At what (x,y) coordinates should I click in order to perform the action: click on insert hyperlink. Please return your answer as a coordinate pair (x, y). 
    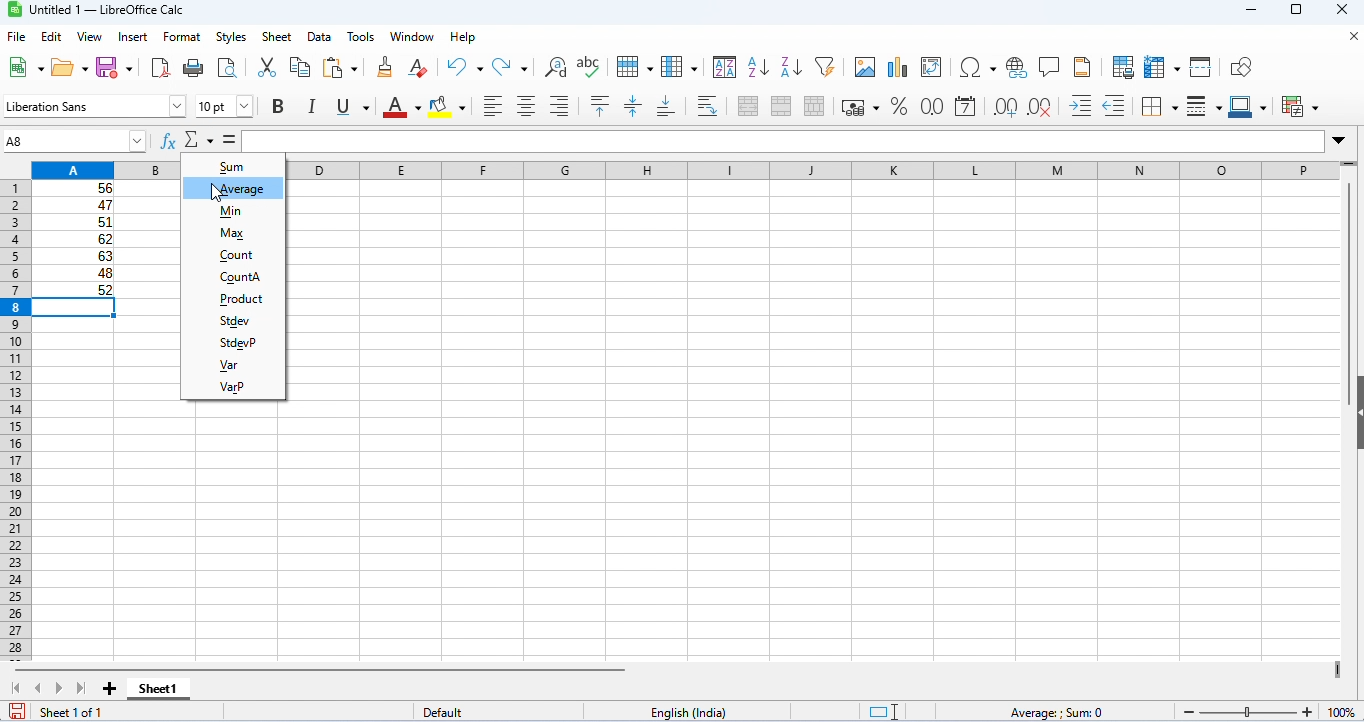
    Looking at the image, I should click on (1018, 68).